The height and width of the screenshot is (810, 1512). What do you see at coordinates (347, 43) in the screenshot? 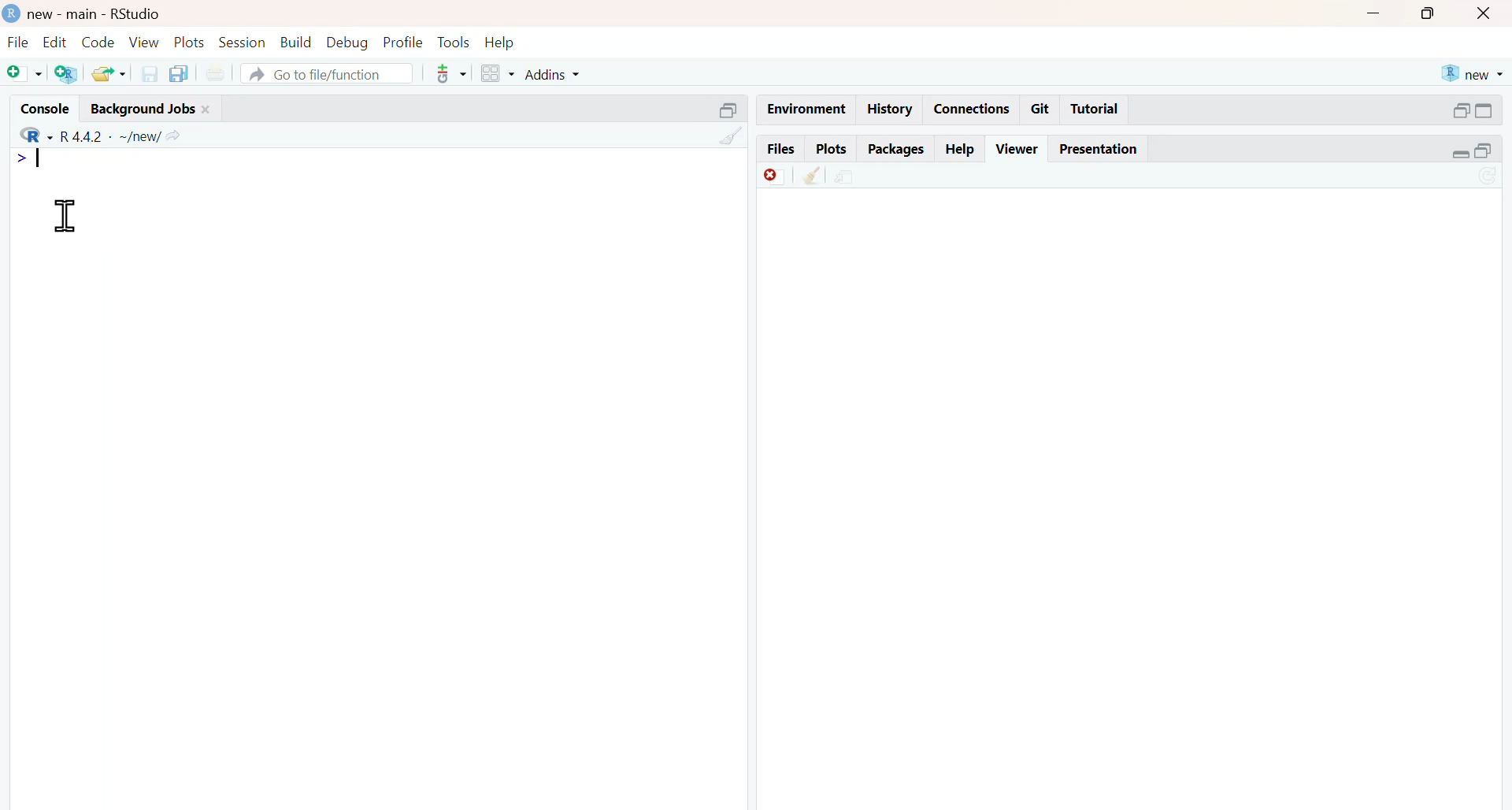
I see `debug` at bounding box center [347, 43].